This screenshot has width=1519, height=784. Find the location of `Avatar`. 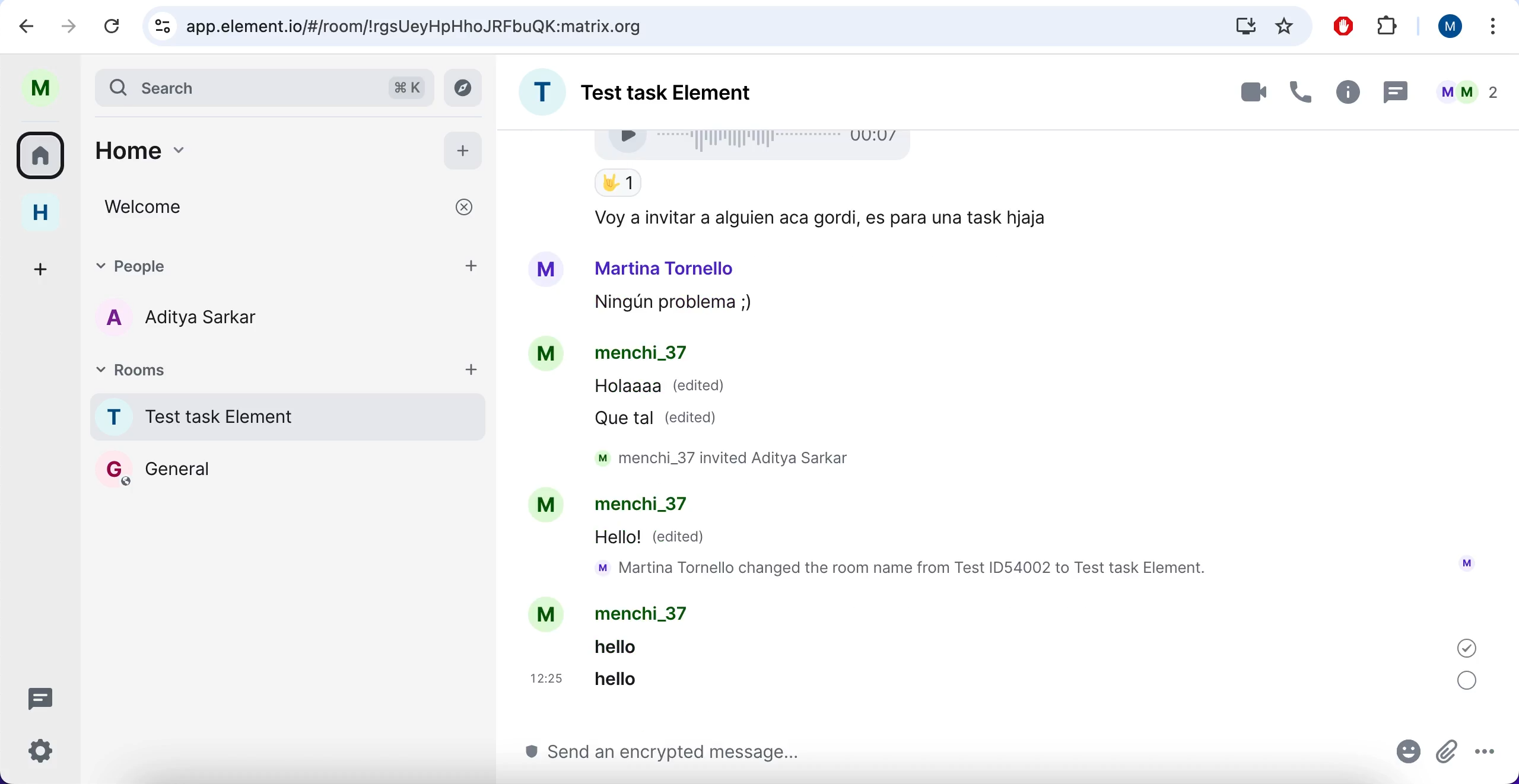

Avatar is located at coordinates (551, 611).